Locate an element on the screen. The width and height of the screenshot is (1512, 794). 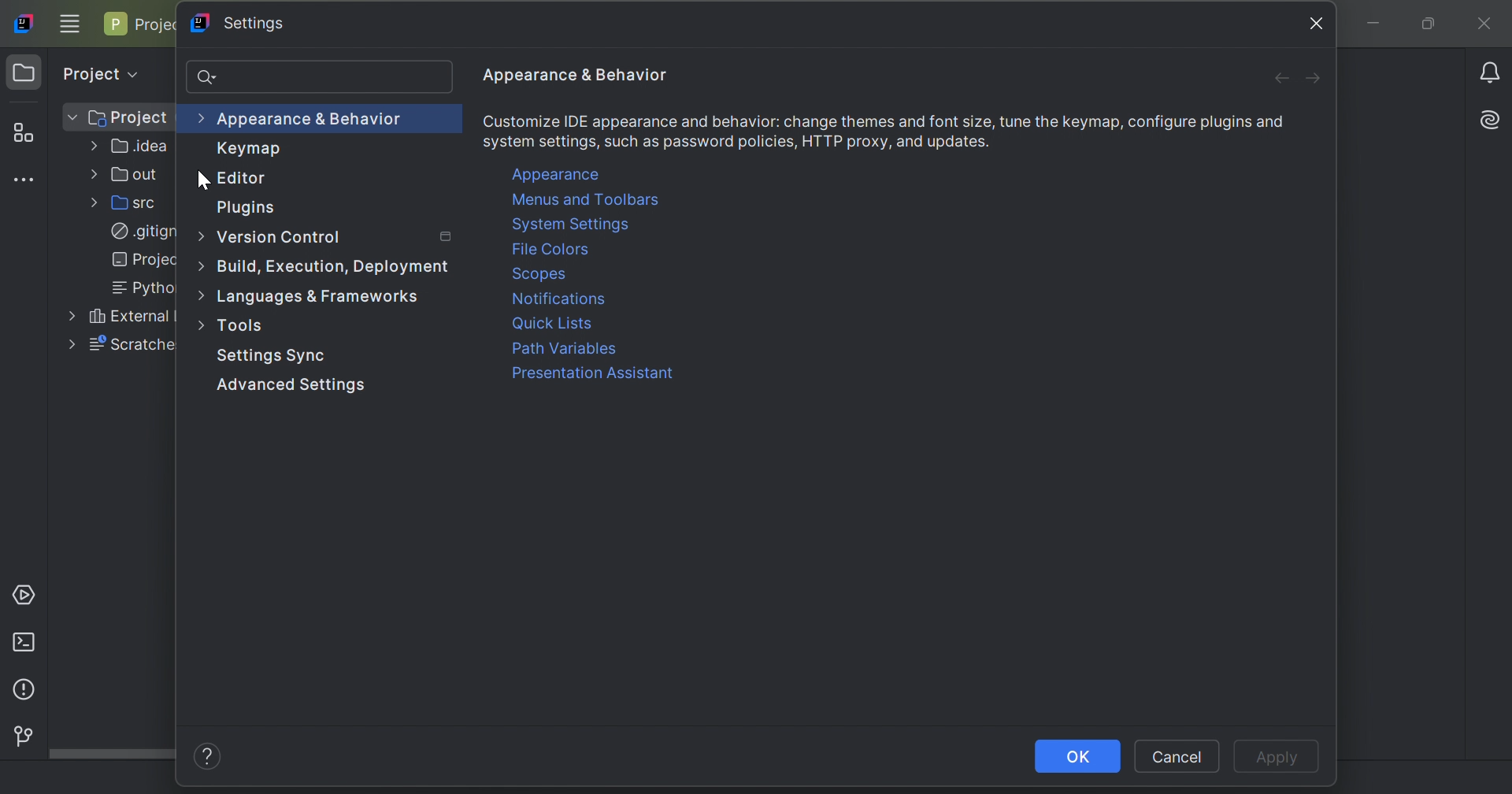
Services is located at coordinates (28, 593).